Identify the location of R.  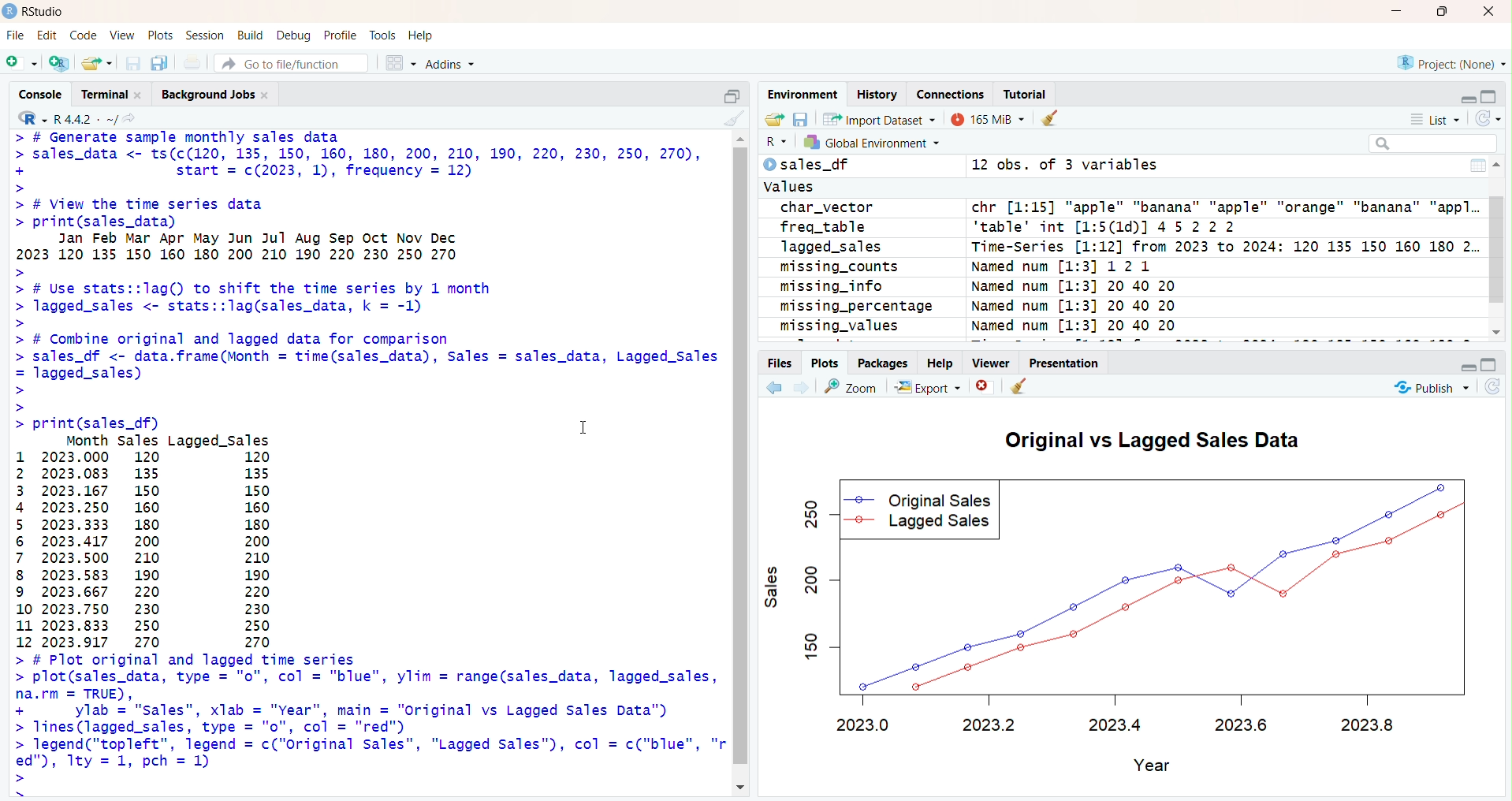
(777, 141).